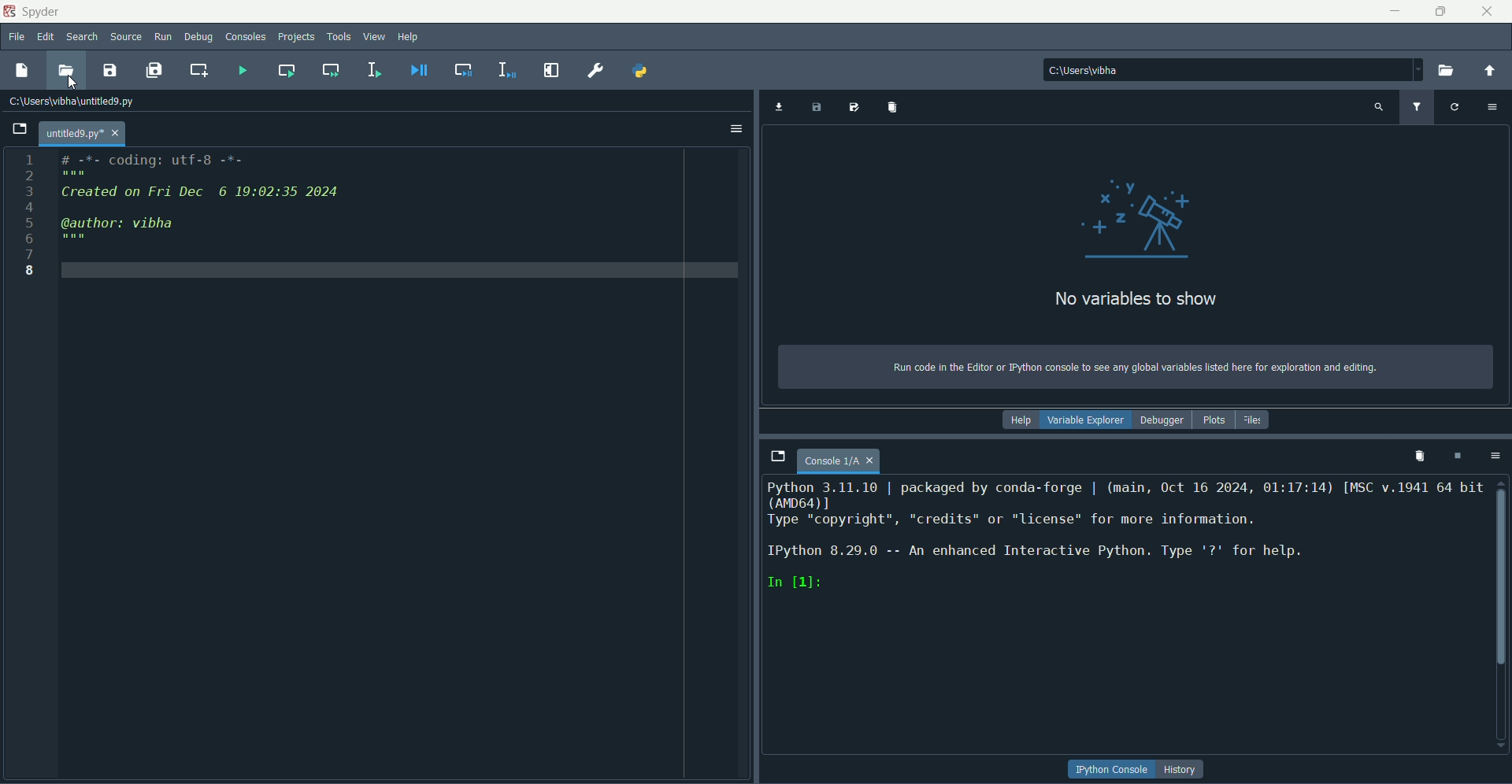 The height and width of the screenshot is (784, 1512). Describe the element at coordinates (32, 12) in the screenshot. I see `name and logo` at that location.